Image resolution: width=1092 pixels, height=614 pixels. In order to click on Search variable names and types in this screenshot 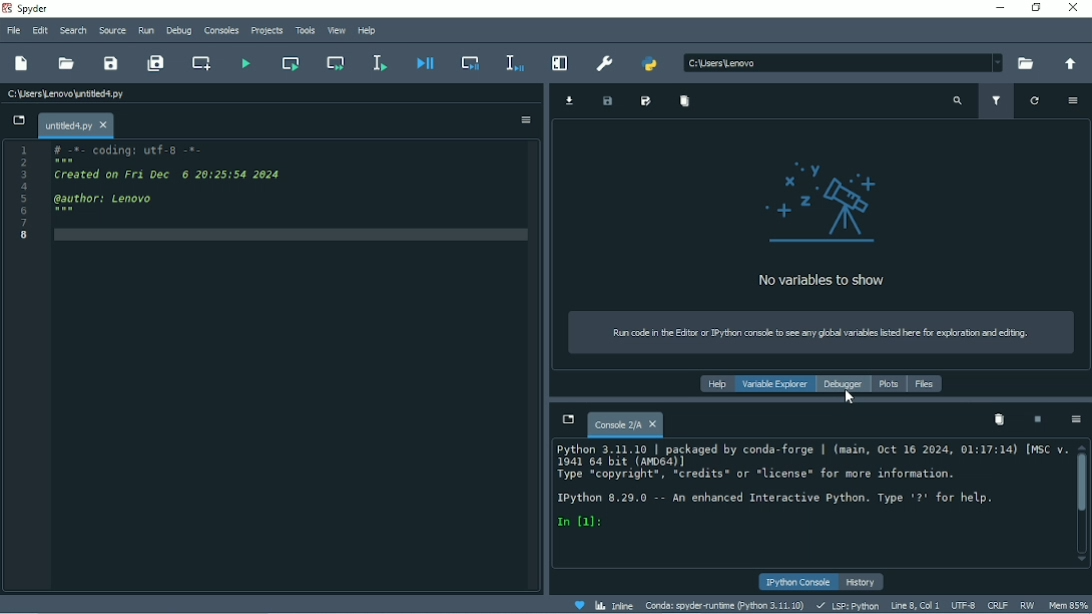, I will do `click(958, 102)`.